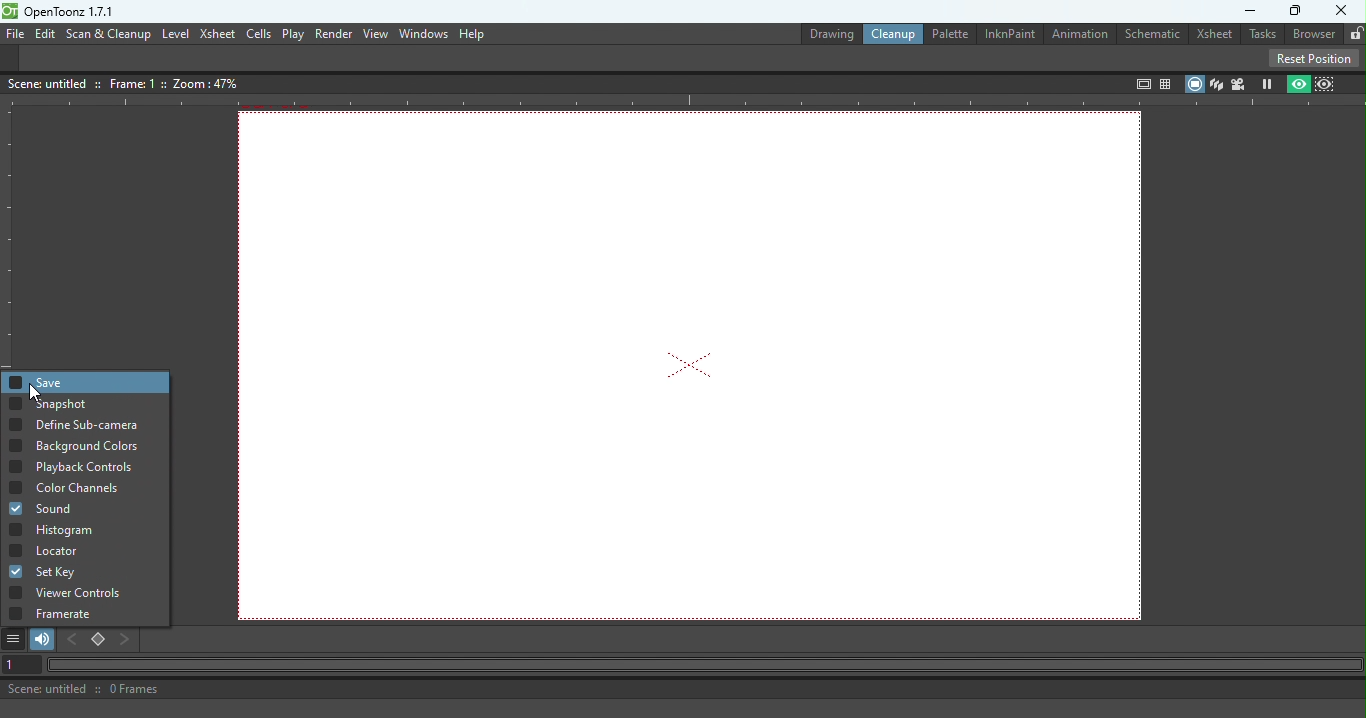 This screenshot has height=718, width=1366. Describe the element at coordinates (1141, 84) in the screenshot. I see `Safe area` at that location.